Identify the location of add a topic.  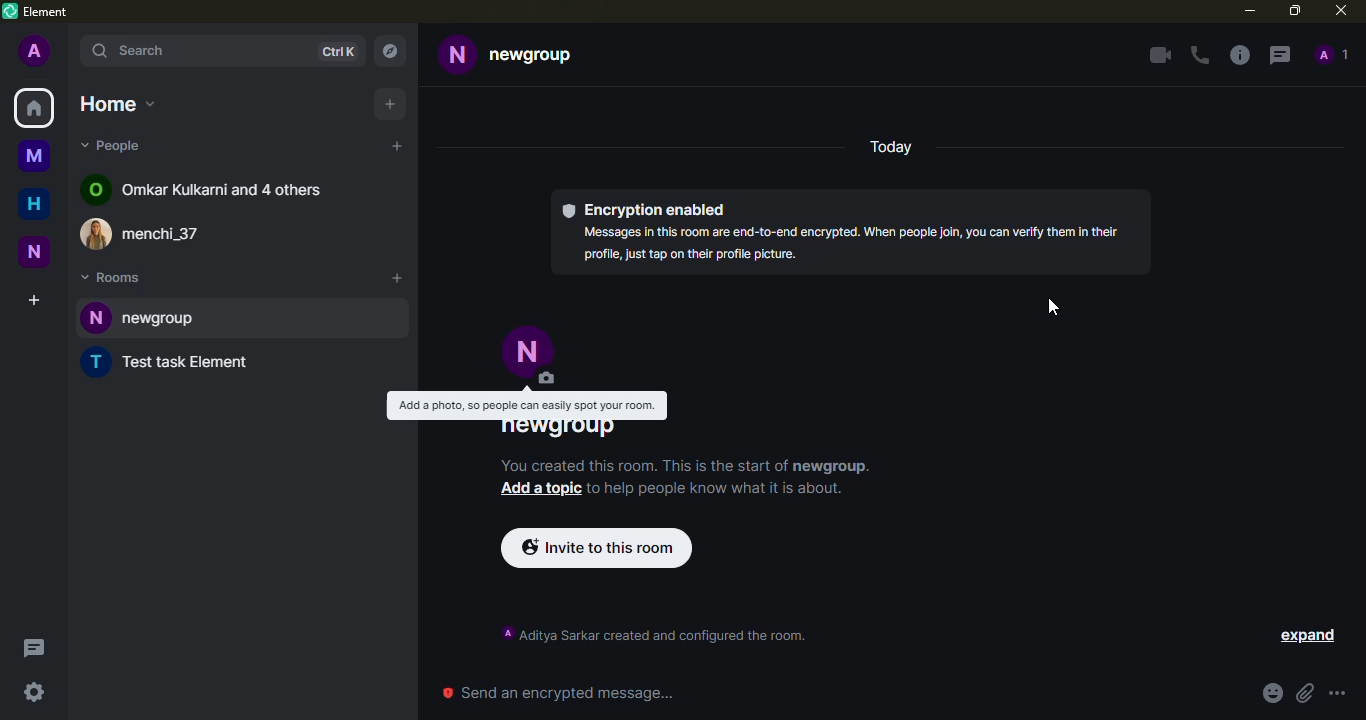
(540, 489).